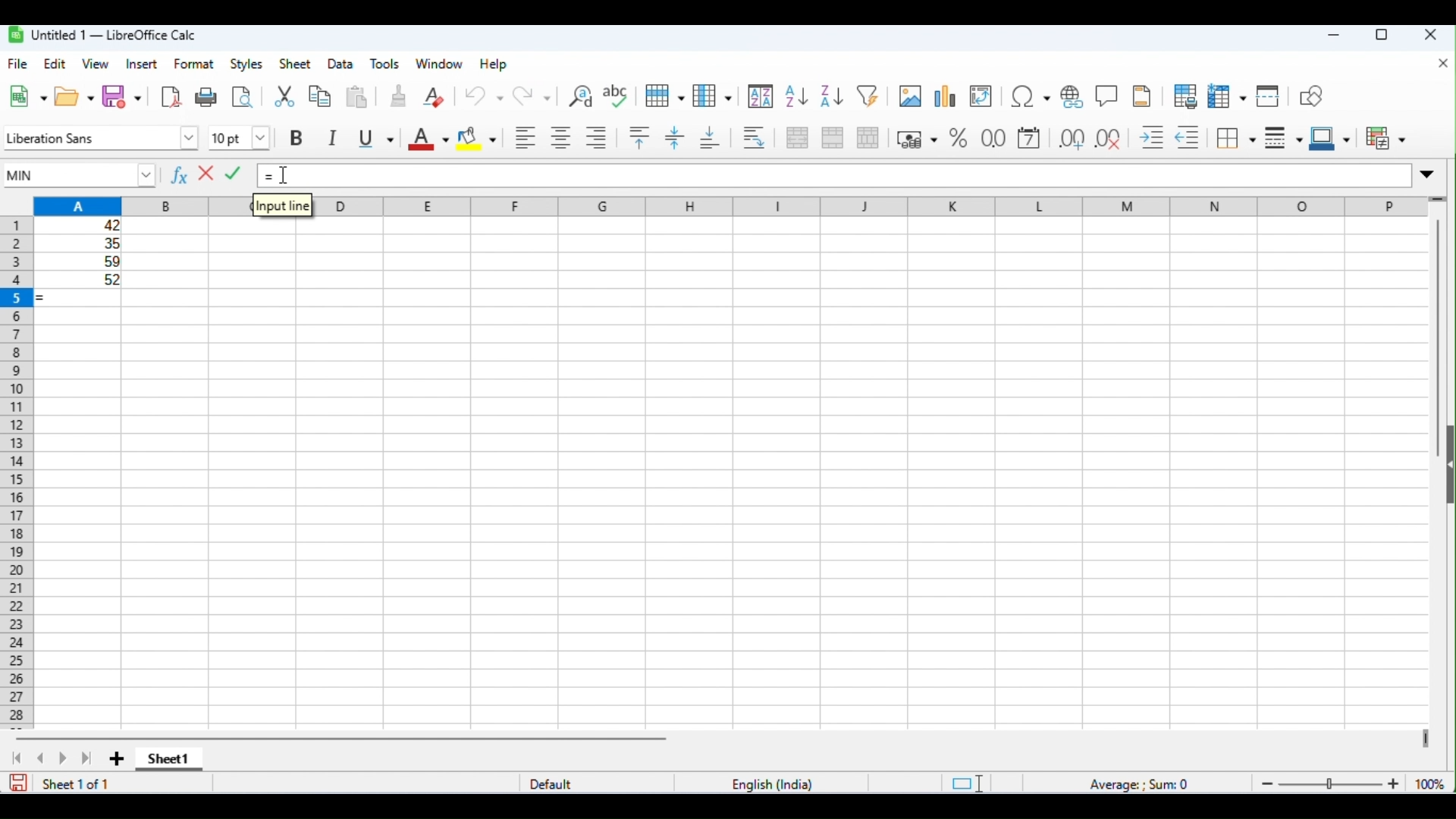 Image resolution: width=1456 pixels, height=819 pixels. I want to click on align right, so click(596, 136).